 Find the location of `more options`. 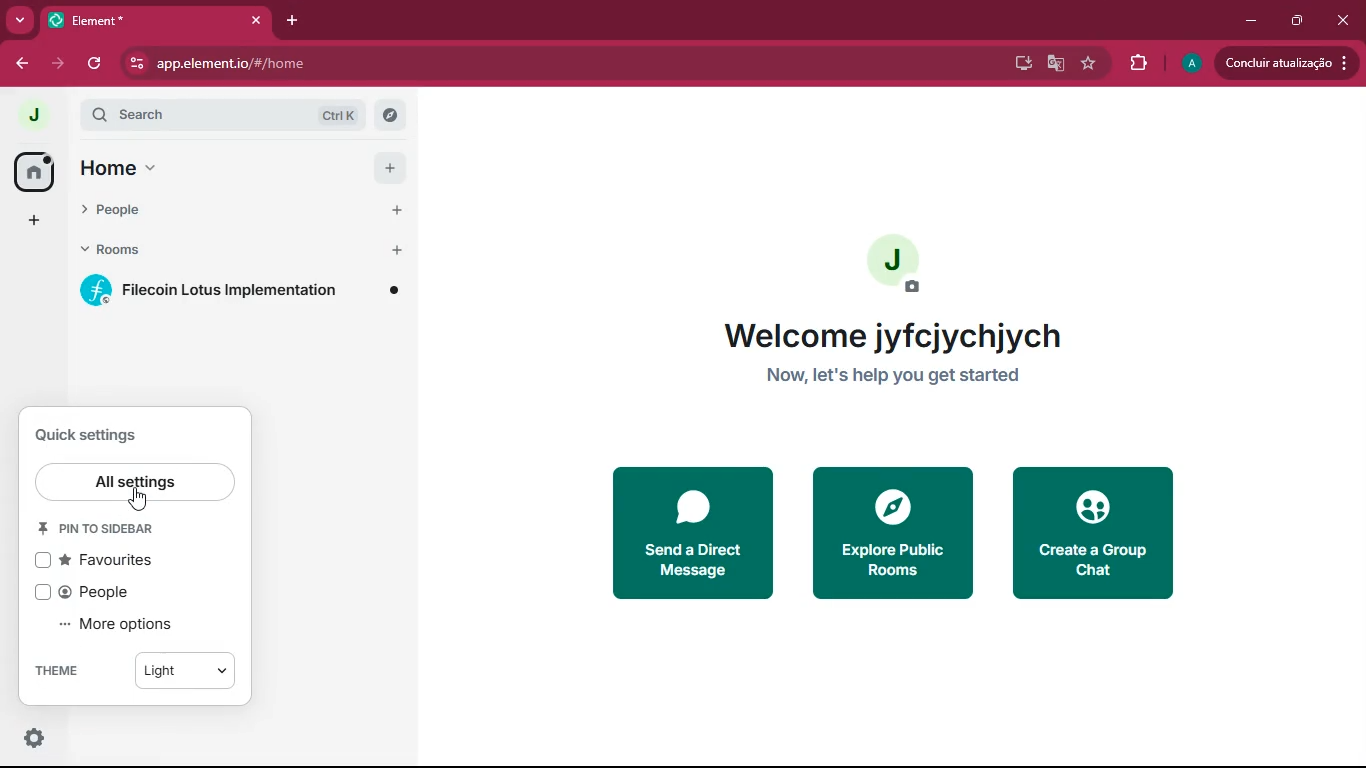

more options is located at coordinates (116, 625).